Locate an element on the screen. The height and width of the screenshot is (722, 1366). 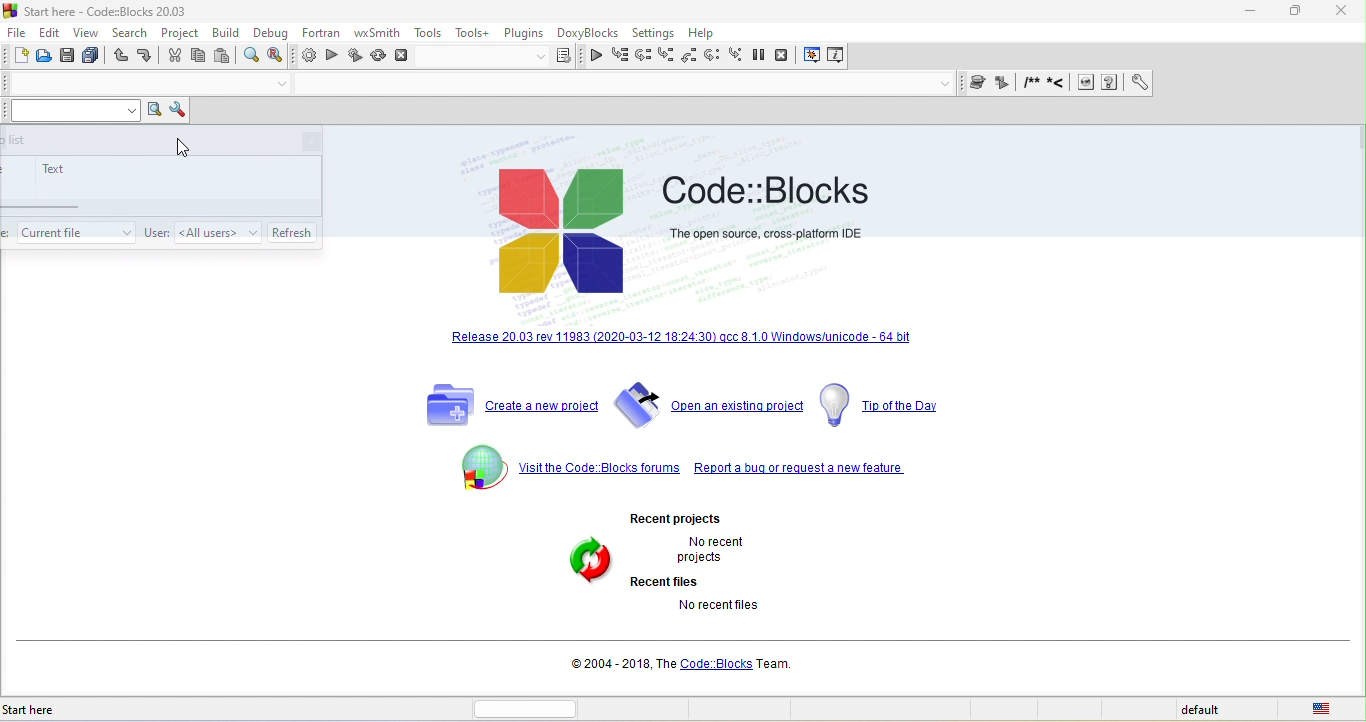
tools+ is located at coordinates (473, 34).